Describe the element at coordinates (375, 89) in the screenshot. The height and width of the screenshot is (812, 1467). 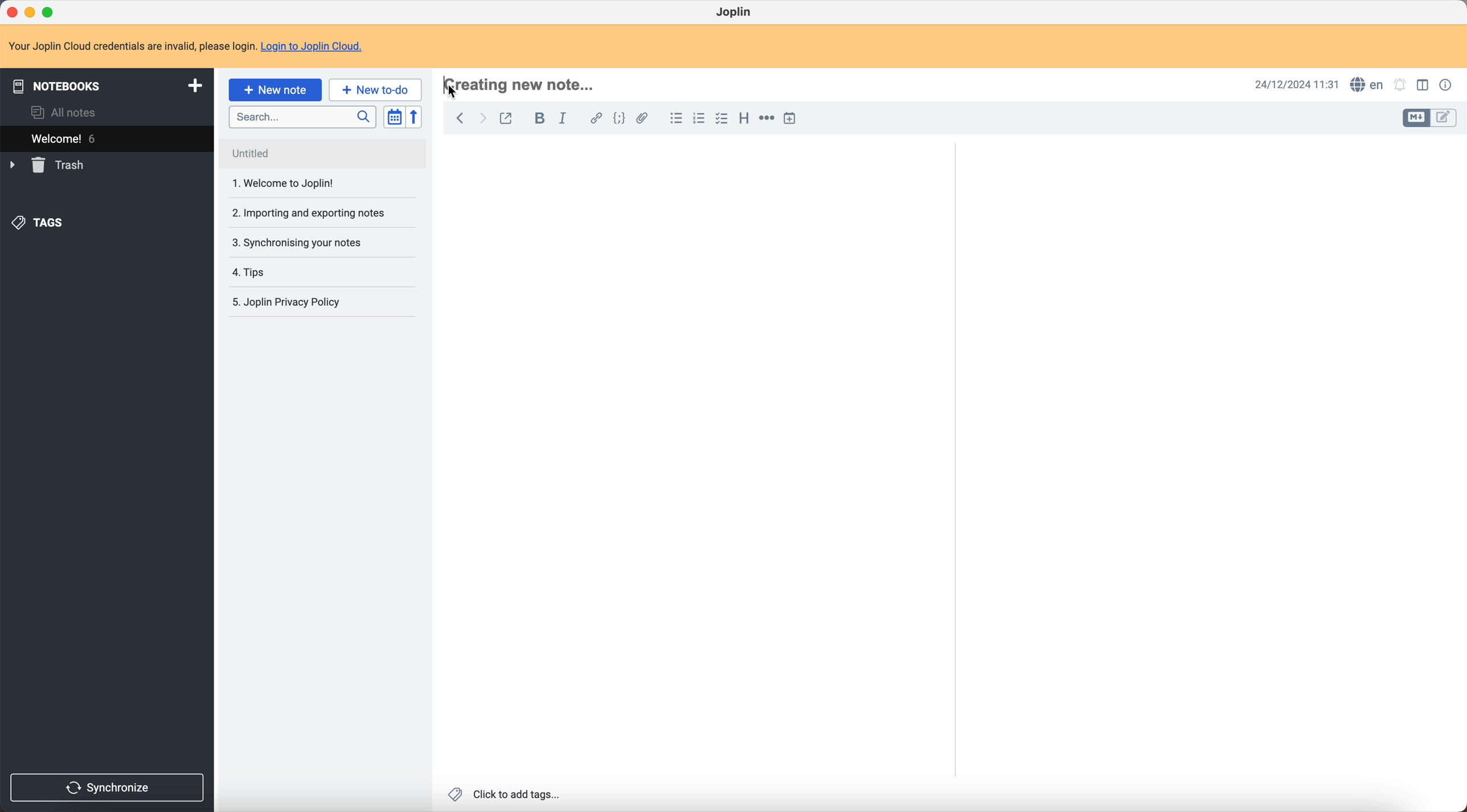
I see `new to-do` at that location.